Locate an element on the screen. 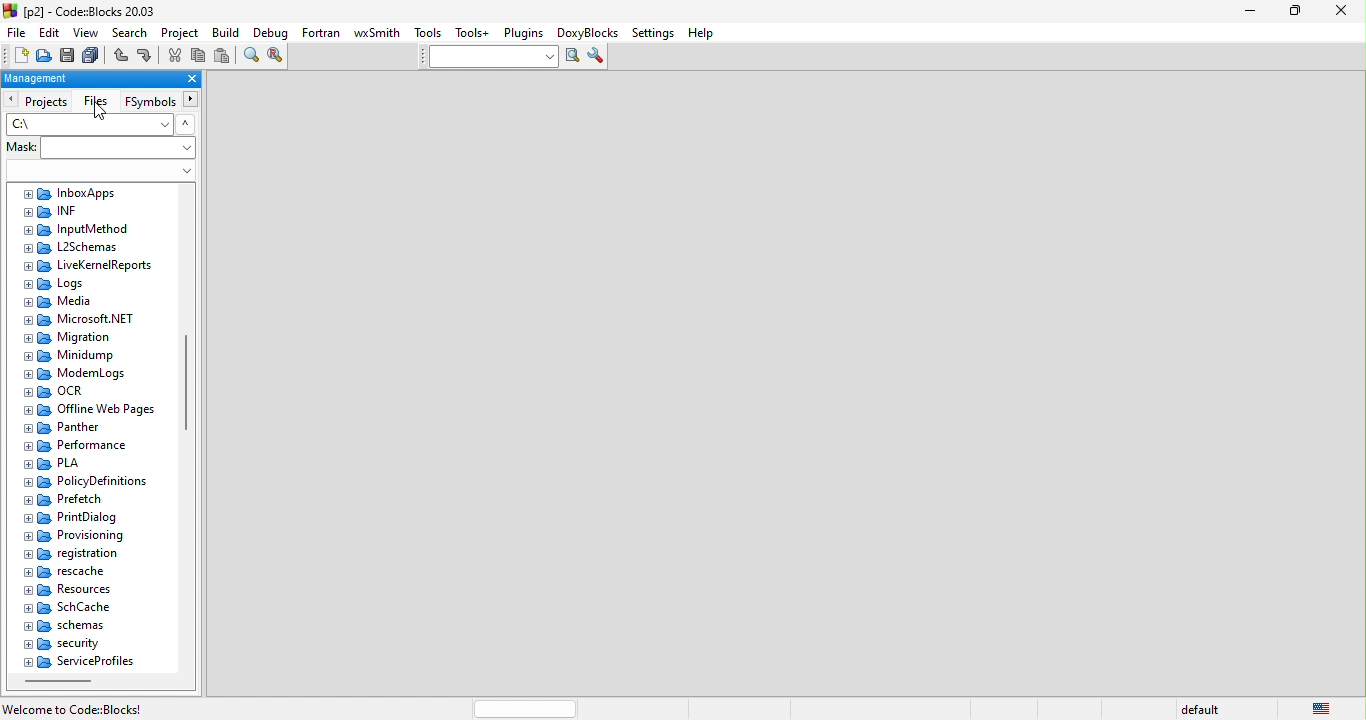  C:\ is located at coordinates (99, 123).